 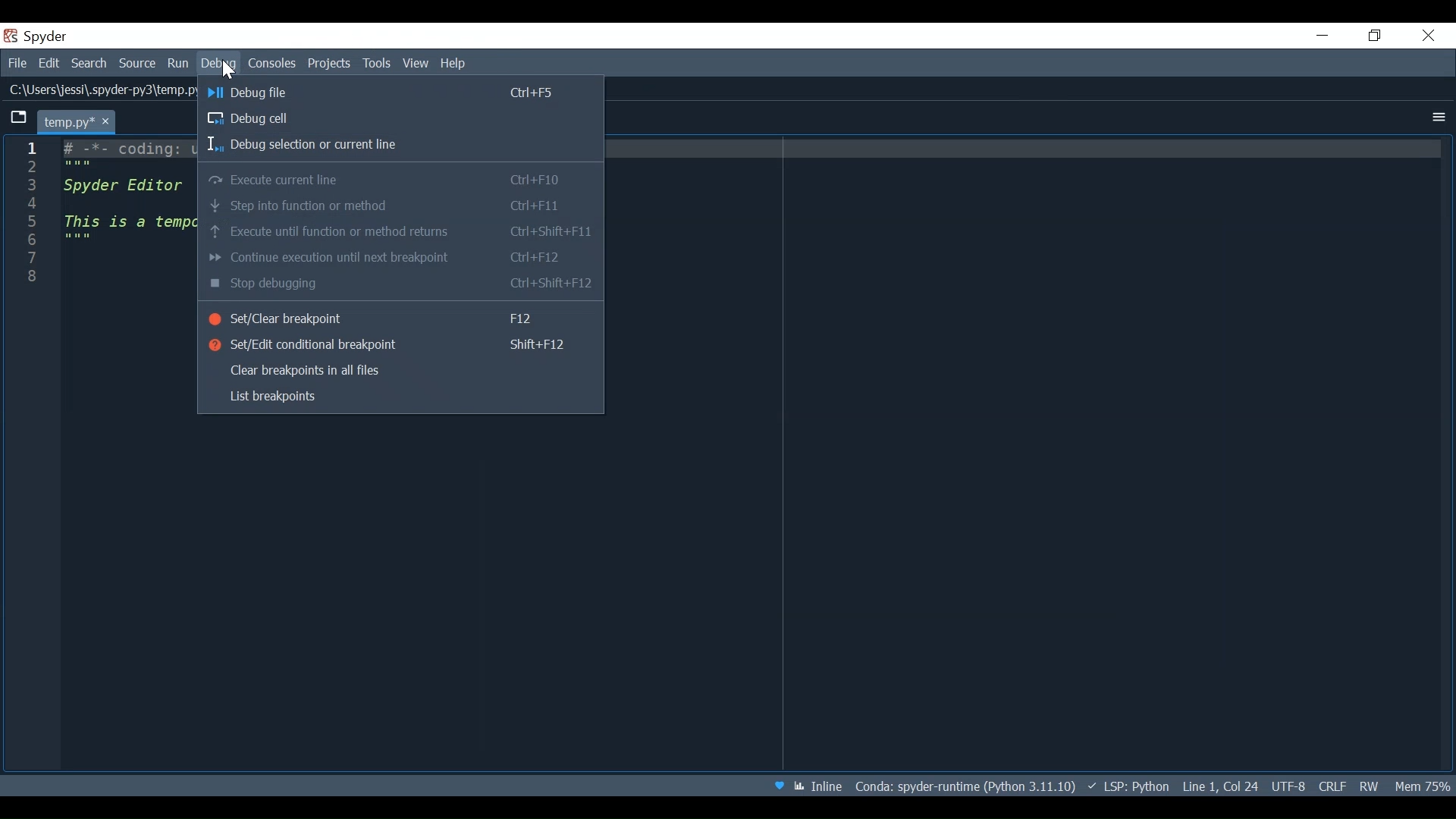 I want to click on Run, so click(x=178, y=64).